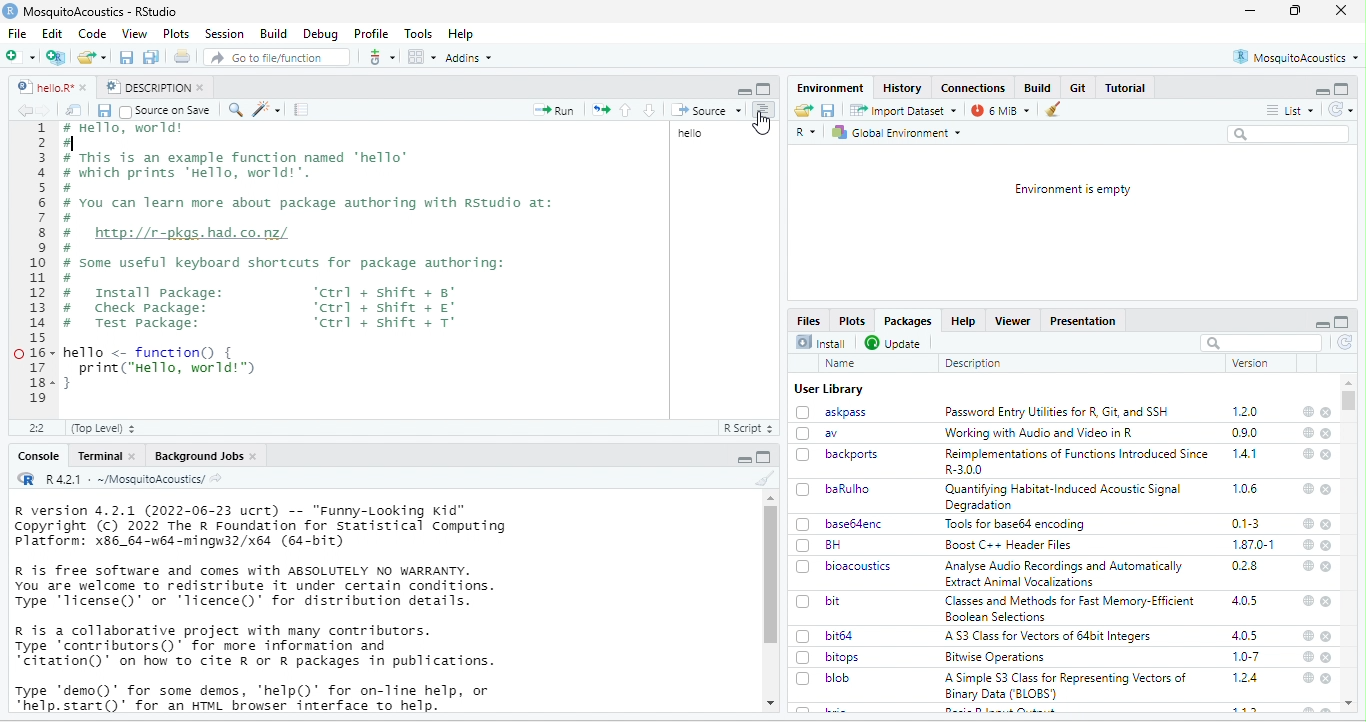 Image resolution: width=1366 pixels, height=722 pixels. Describe the element at coordinates (183, 56) in the screenshot. I see `Print` at that location.